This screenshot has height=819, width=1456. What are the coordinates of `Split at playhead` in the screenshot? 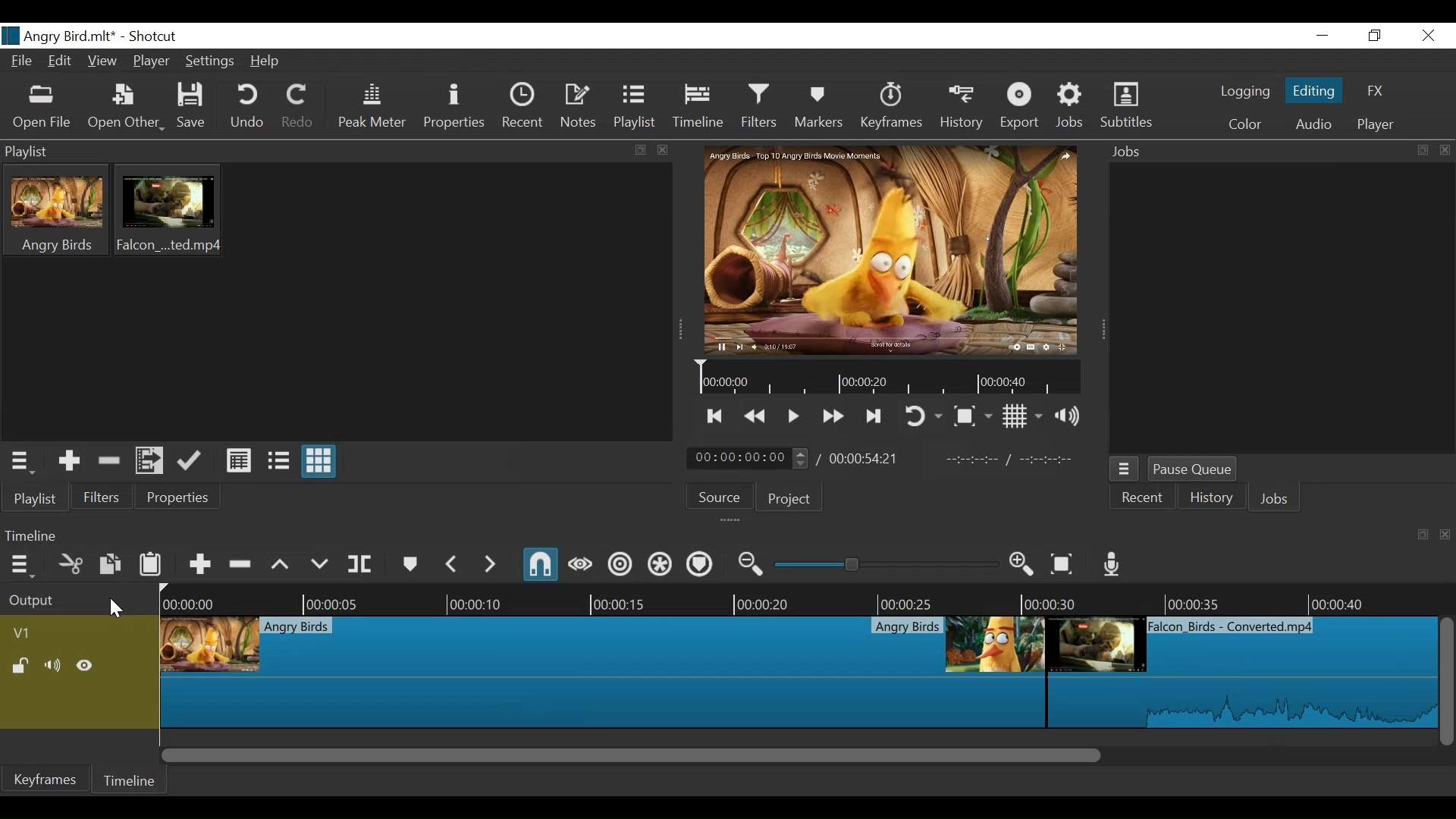 It's located at (360, 565).